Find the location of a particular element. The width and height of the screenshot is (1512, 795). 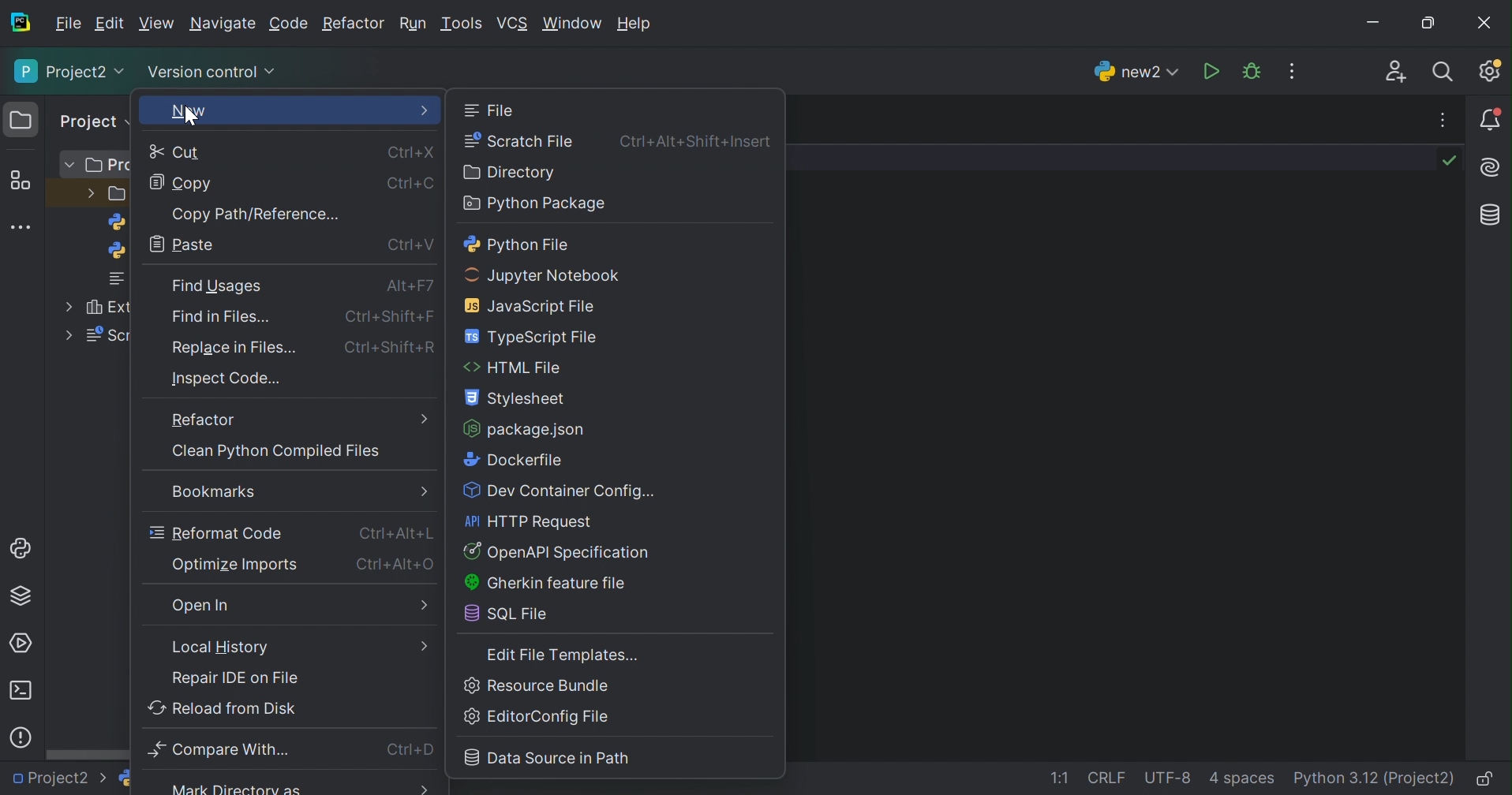

Data source in path is located at coordinates (549, 757).